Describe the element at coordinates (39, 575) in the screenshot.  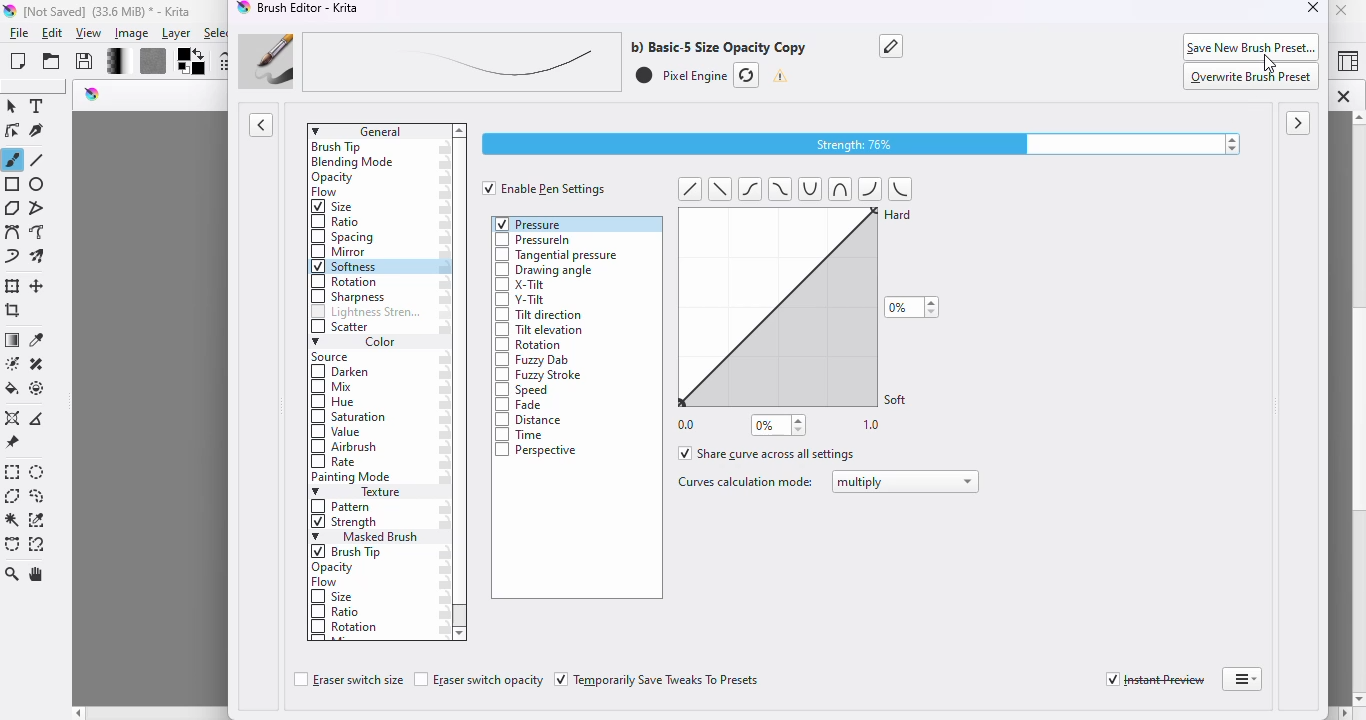
I see `pan tool` at that location.